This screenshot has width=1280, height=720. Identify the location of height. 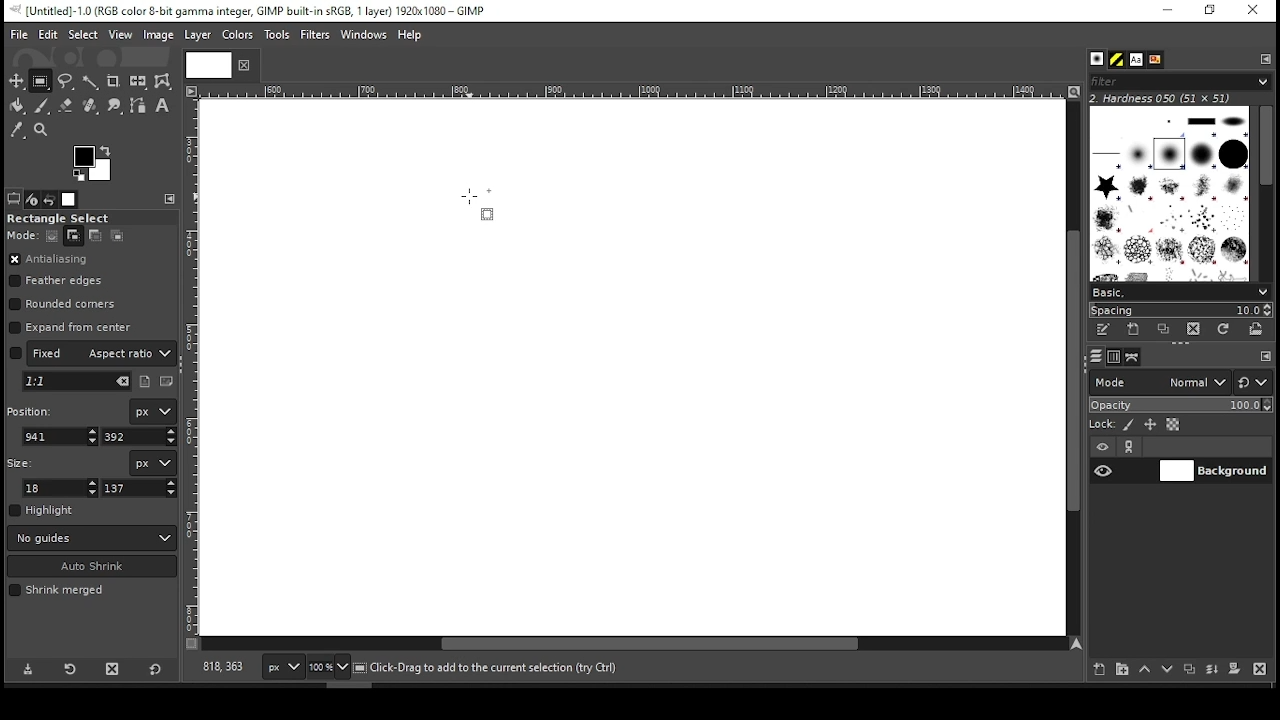
(140, 488).